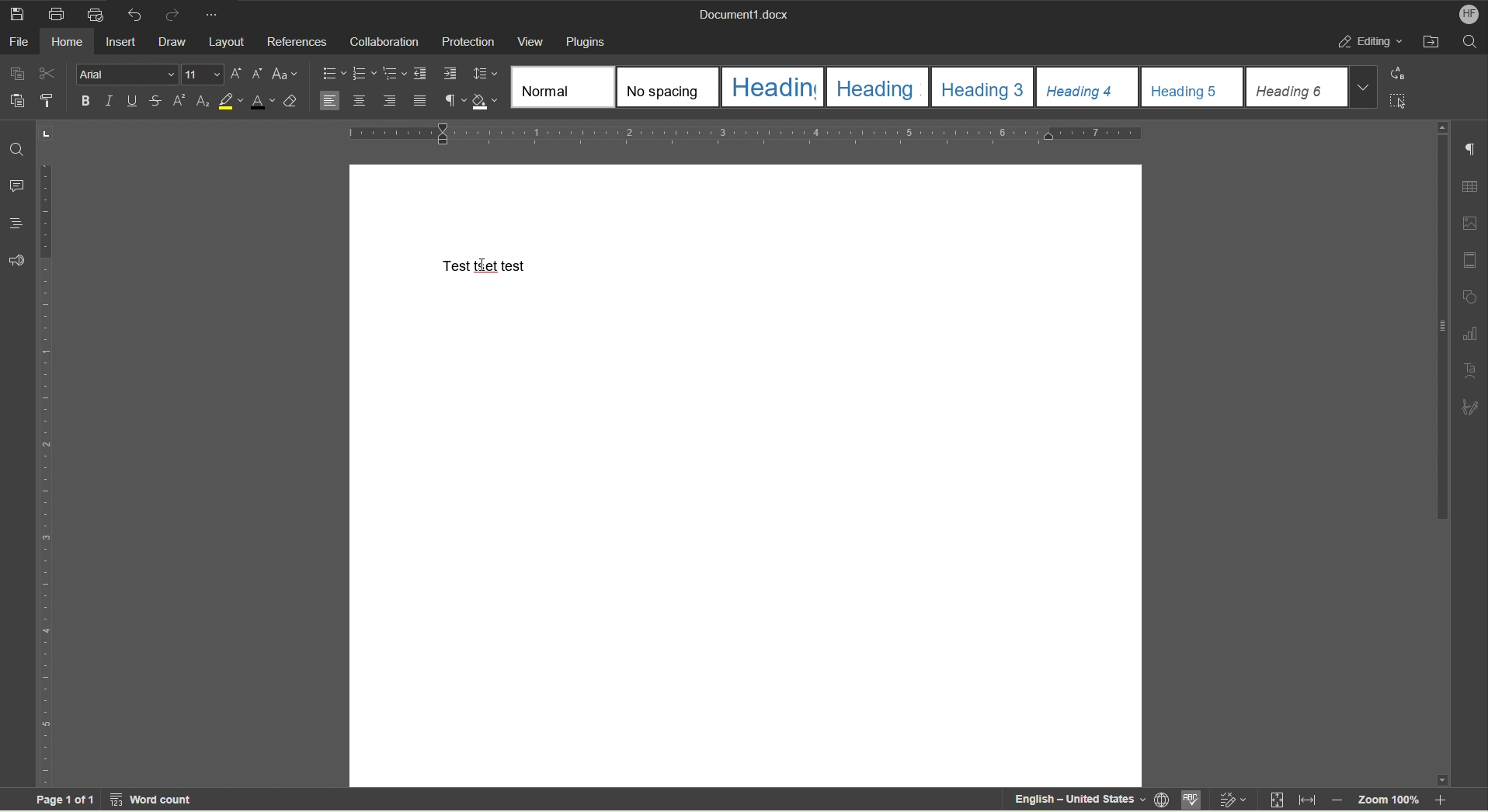  What do you see at coordinates (20, 41) in the screenshot?
I see `File` at bounding box center [20, 41].